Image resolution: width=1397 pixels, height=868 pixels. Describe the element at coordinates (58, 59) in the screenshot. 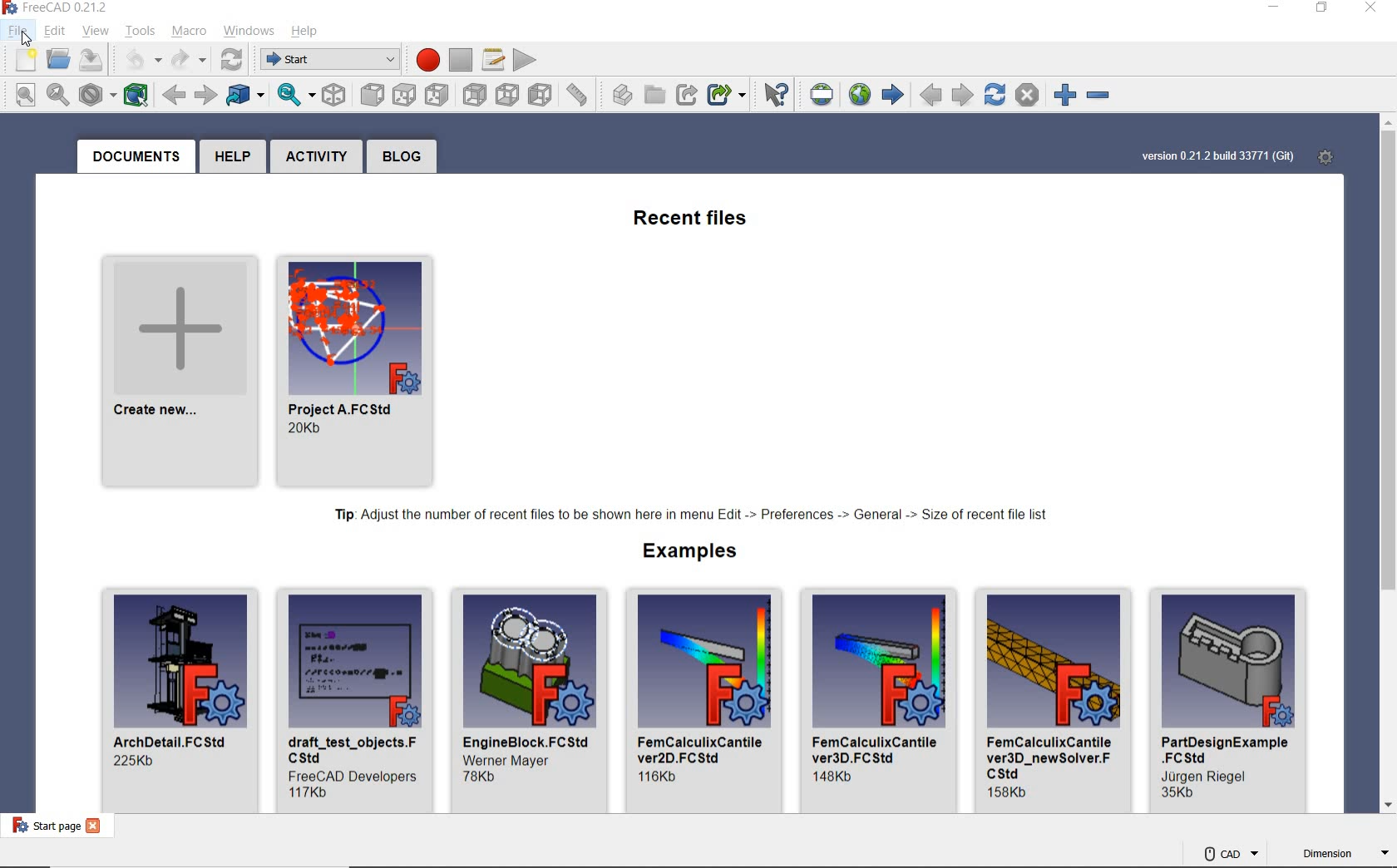

I see `OPEN` at that location.